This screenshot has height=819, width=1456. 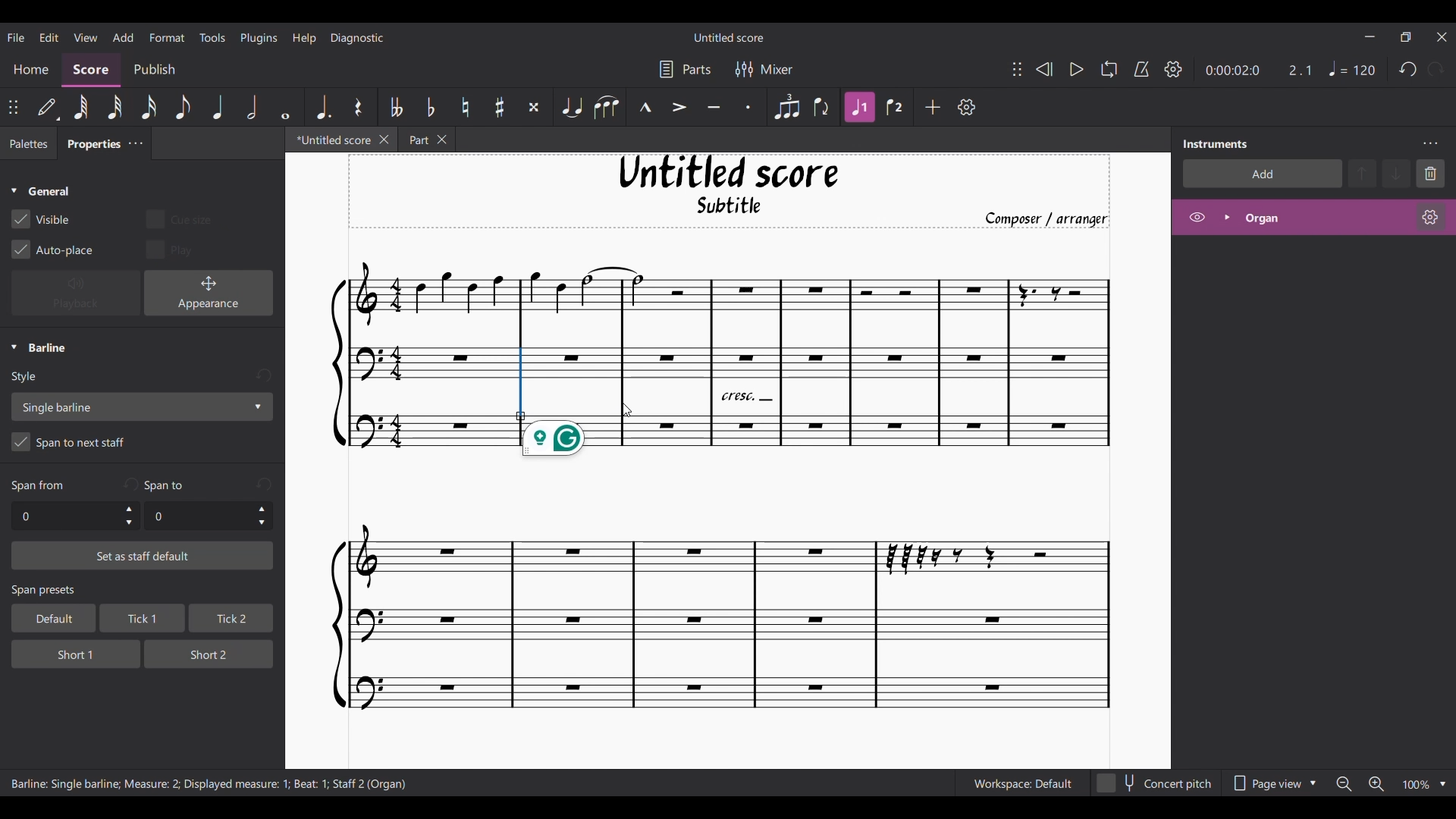 I want to click on File menu, so click(x=16, y=36).